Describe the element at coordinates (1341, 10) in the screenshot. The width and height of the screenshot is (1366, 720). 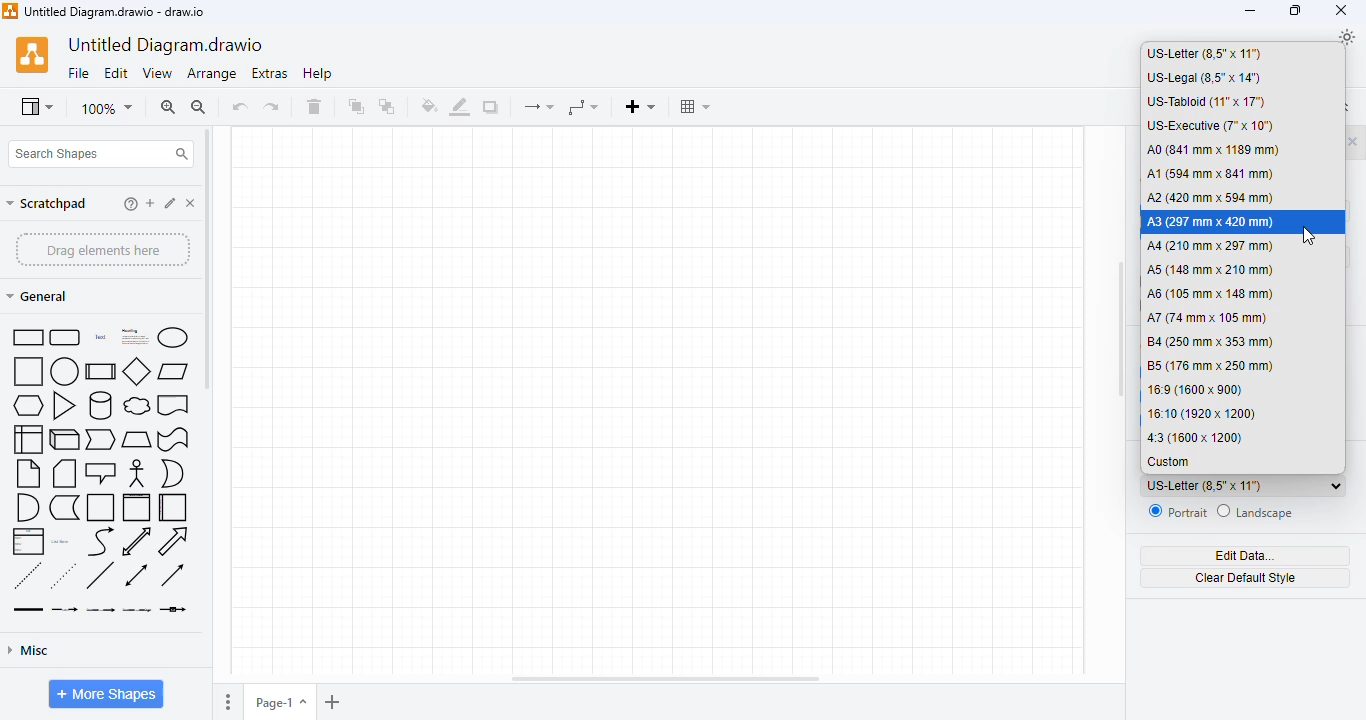
I see `close` at that location.